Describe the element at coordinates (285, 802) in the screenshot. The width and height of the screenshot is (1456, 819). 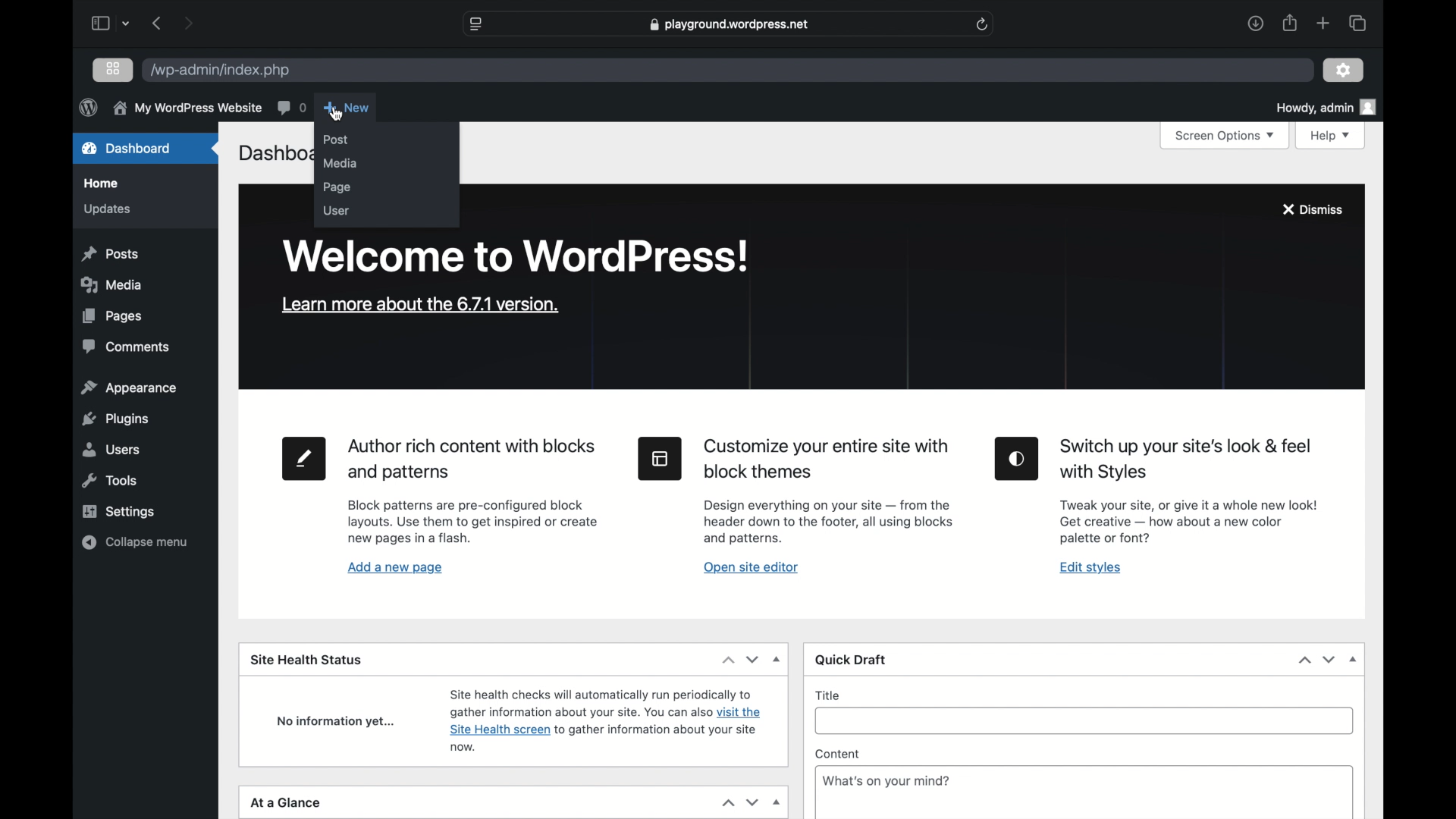
I see `at a glance` at that location.